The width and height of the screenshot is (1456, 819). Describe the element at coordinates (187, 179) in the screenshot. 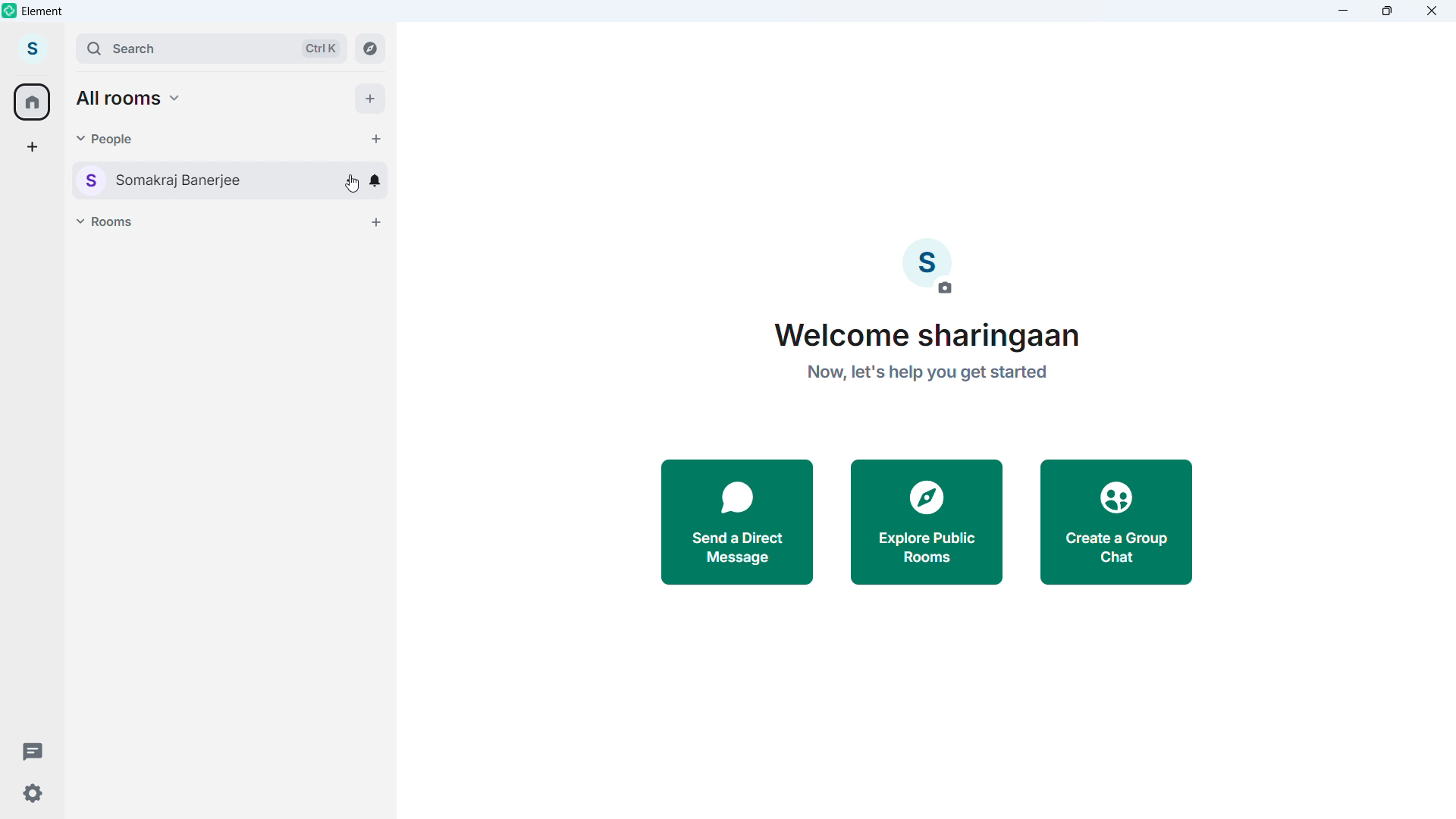

I see `User Conversation  ` at that location.